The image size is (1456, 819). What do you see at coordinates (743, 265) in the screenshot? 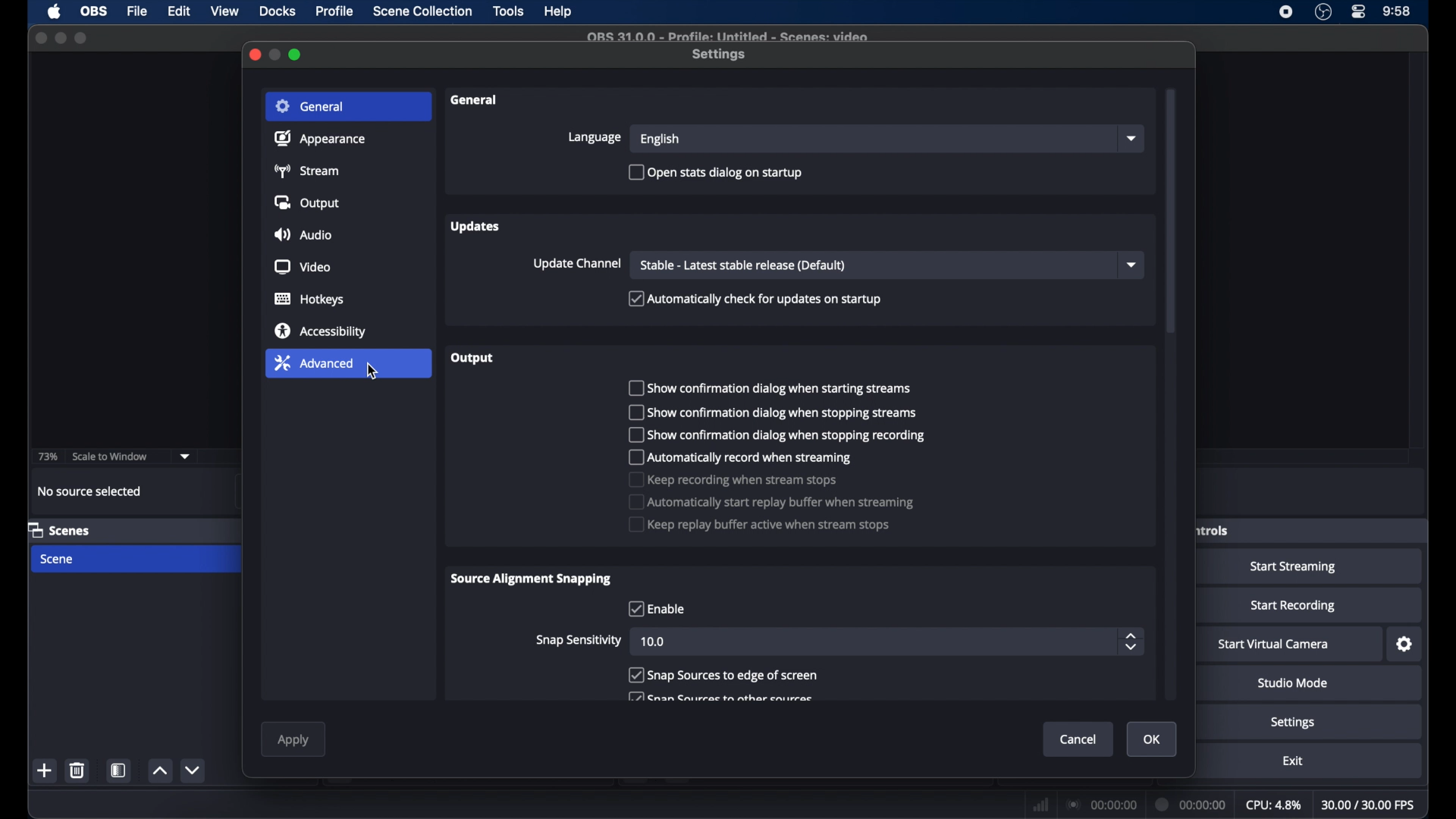
I see `stable` at bounding box center [743, 265].